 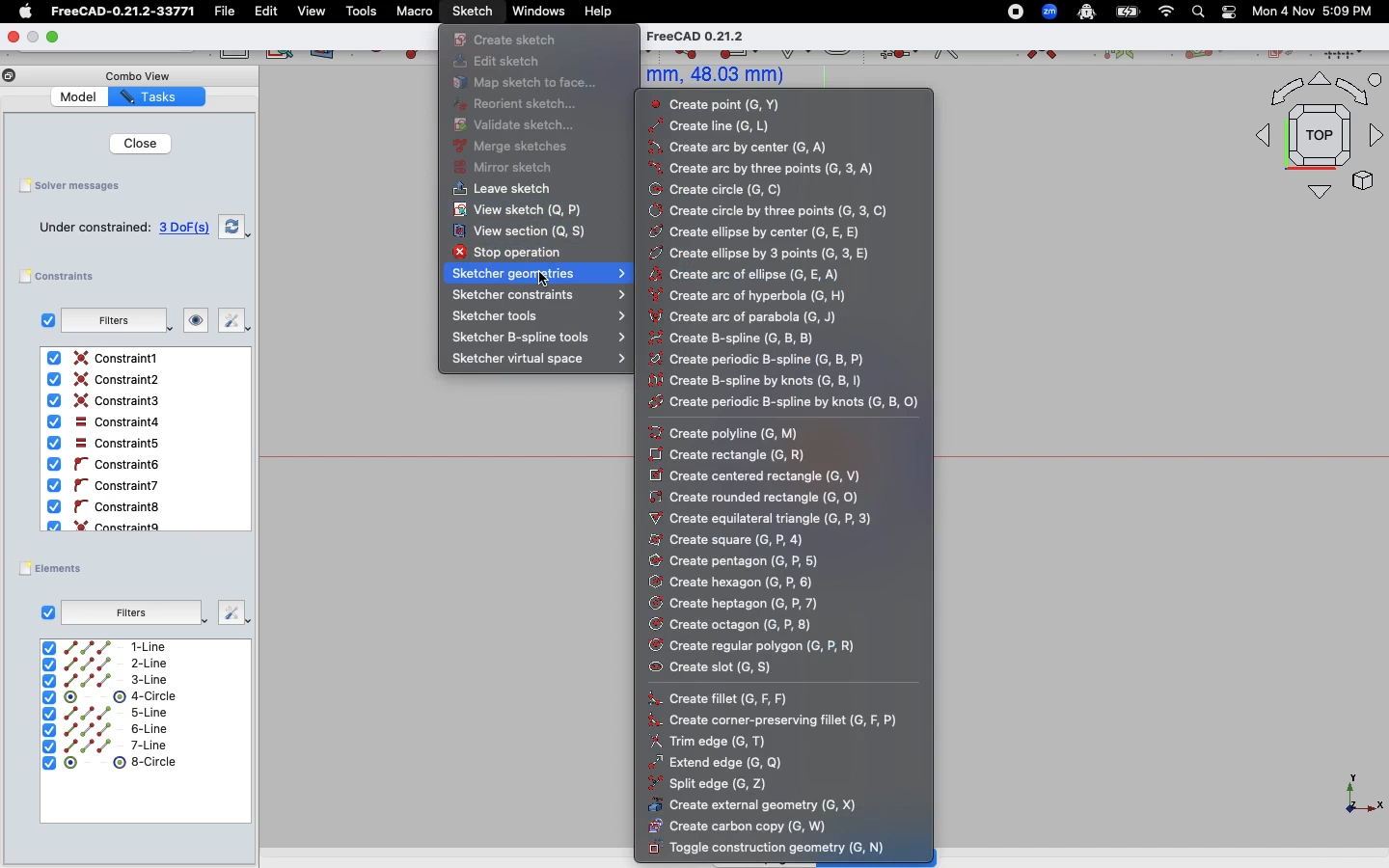 What do you see at coordinates (54, 36) in the screenshot?
I see `Expand` at bounding box center [54, 36].